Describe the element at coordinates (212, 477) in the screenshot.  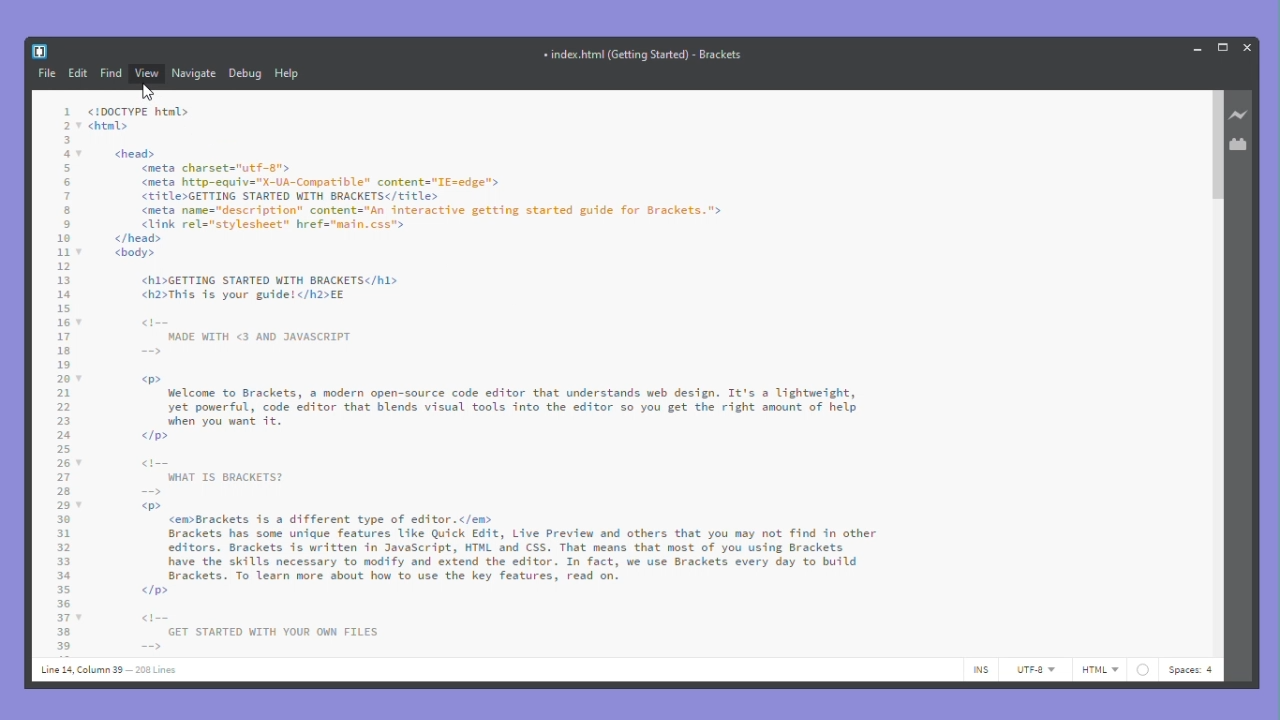
I see `<!-- WHAT IS BRACKETS? -->` at that location.